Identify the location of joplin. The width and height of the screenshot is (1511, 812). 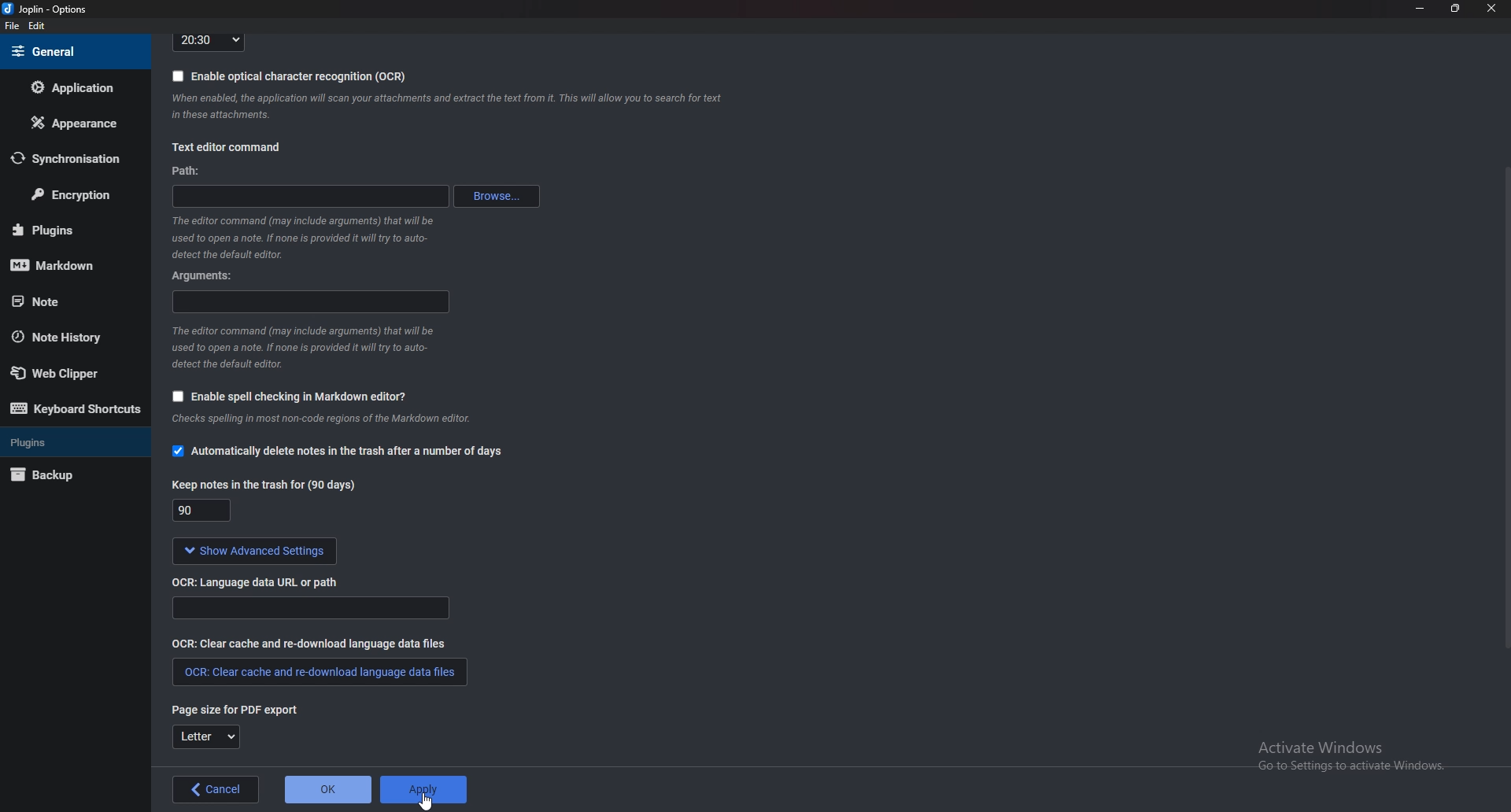
(48, 10).